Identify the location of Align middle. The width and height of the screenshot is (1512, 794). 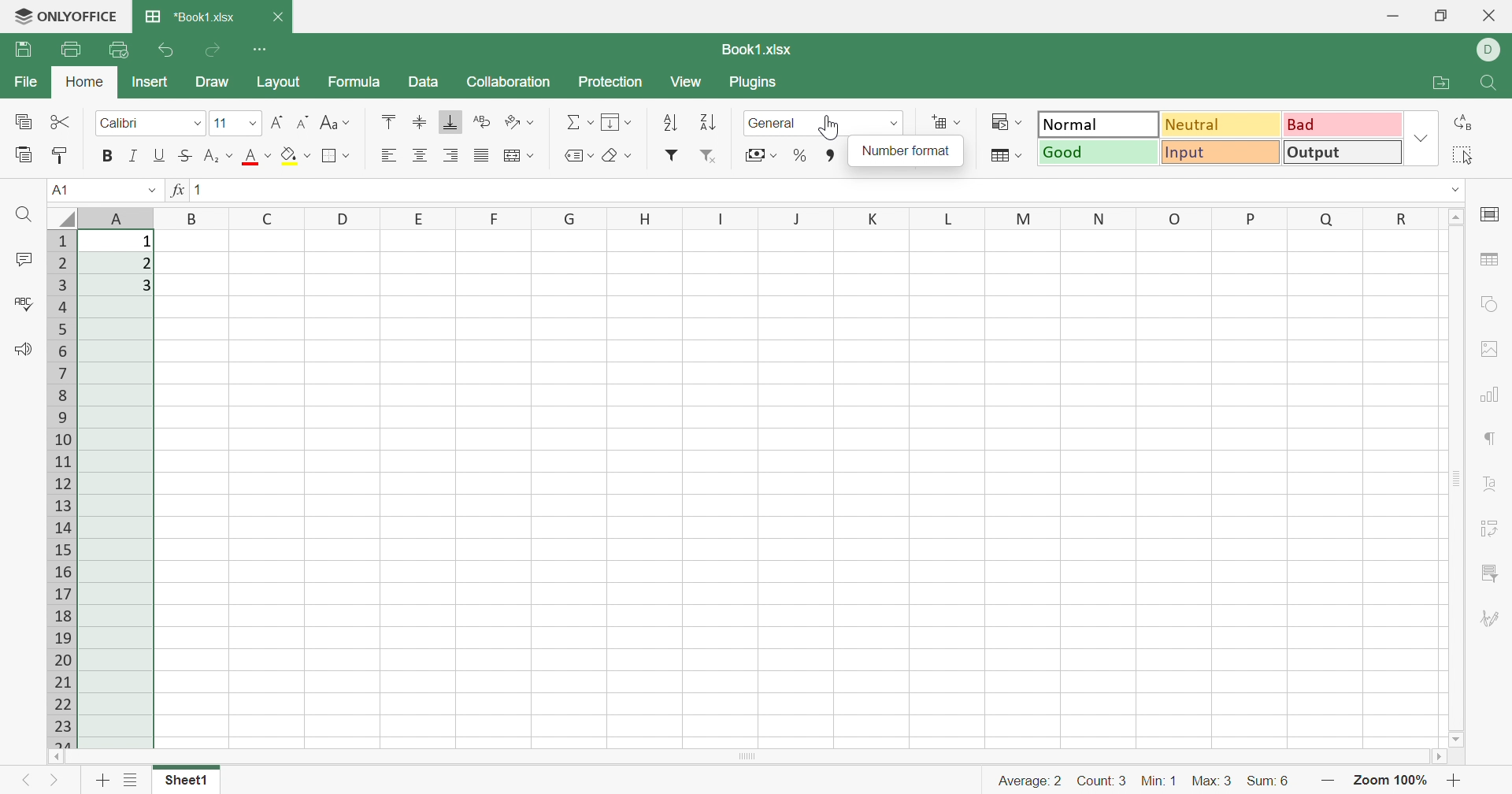
(421, 155).